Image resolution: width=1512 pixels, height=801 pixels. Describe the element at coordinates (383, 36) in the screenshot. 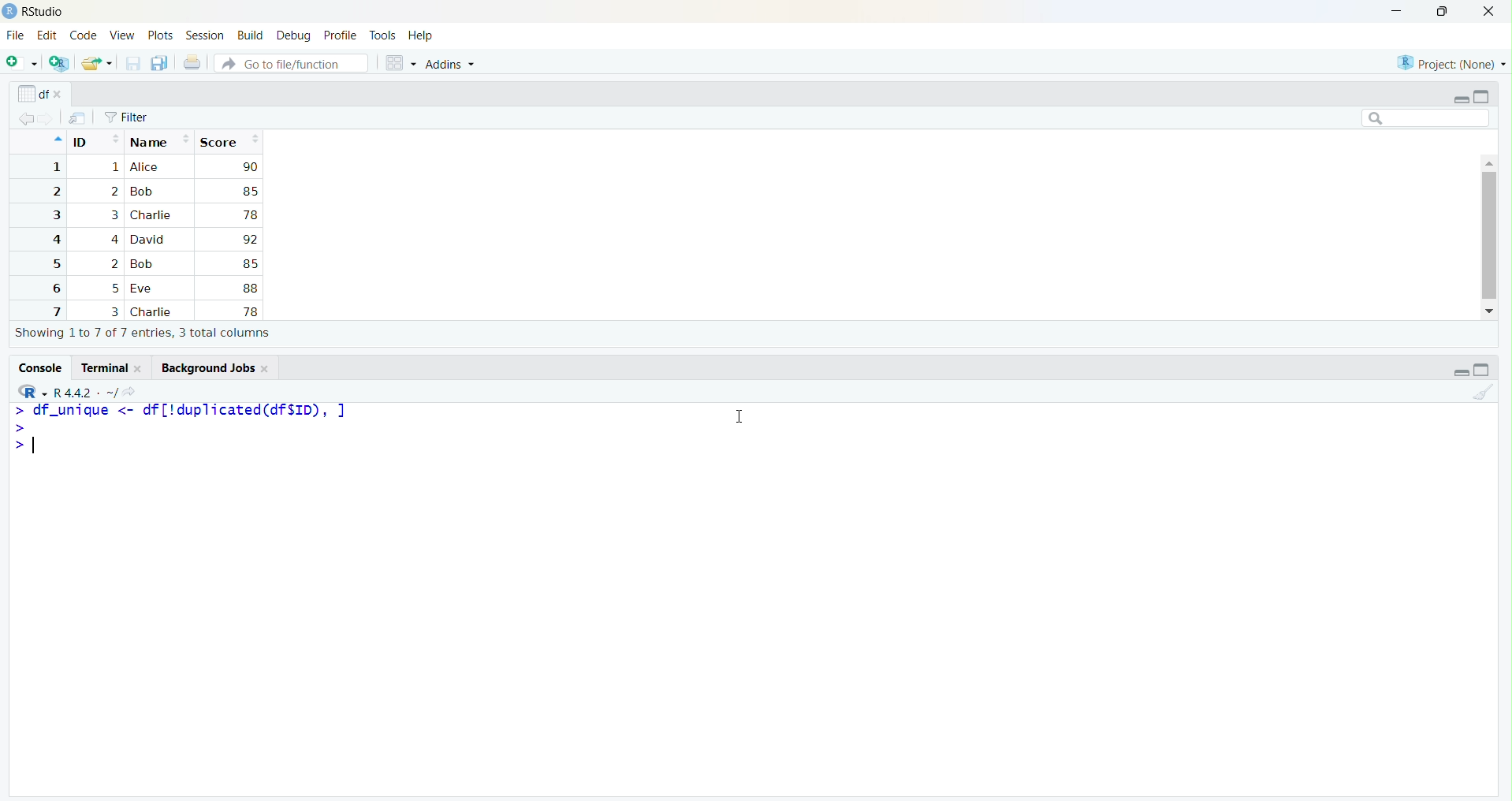

I see `Tools` at that location.